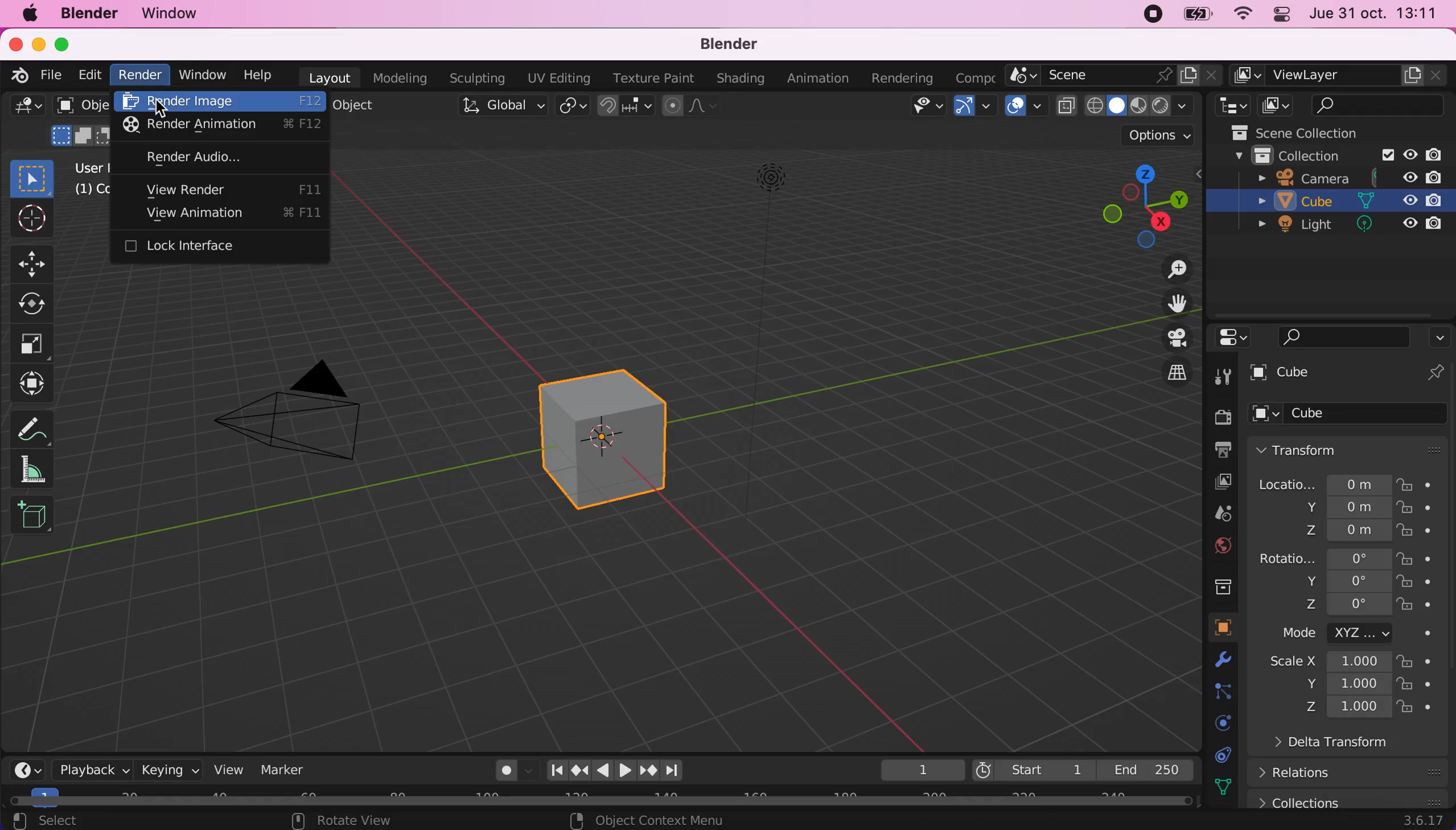  I want to click on Cursor on render image, so click(219, 101).